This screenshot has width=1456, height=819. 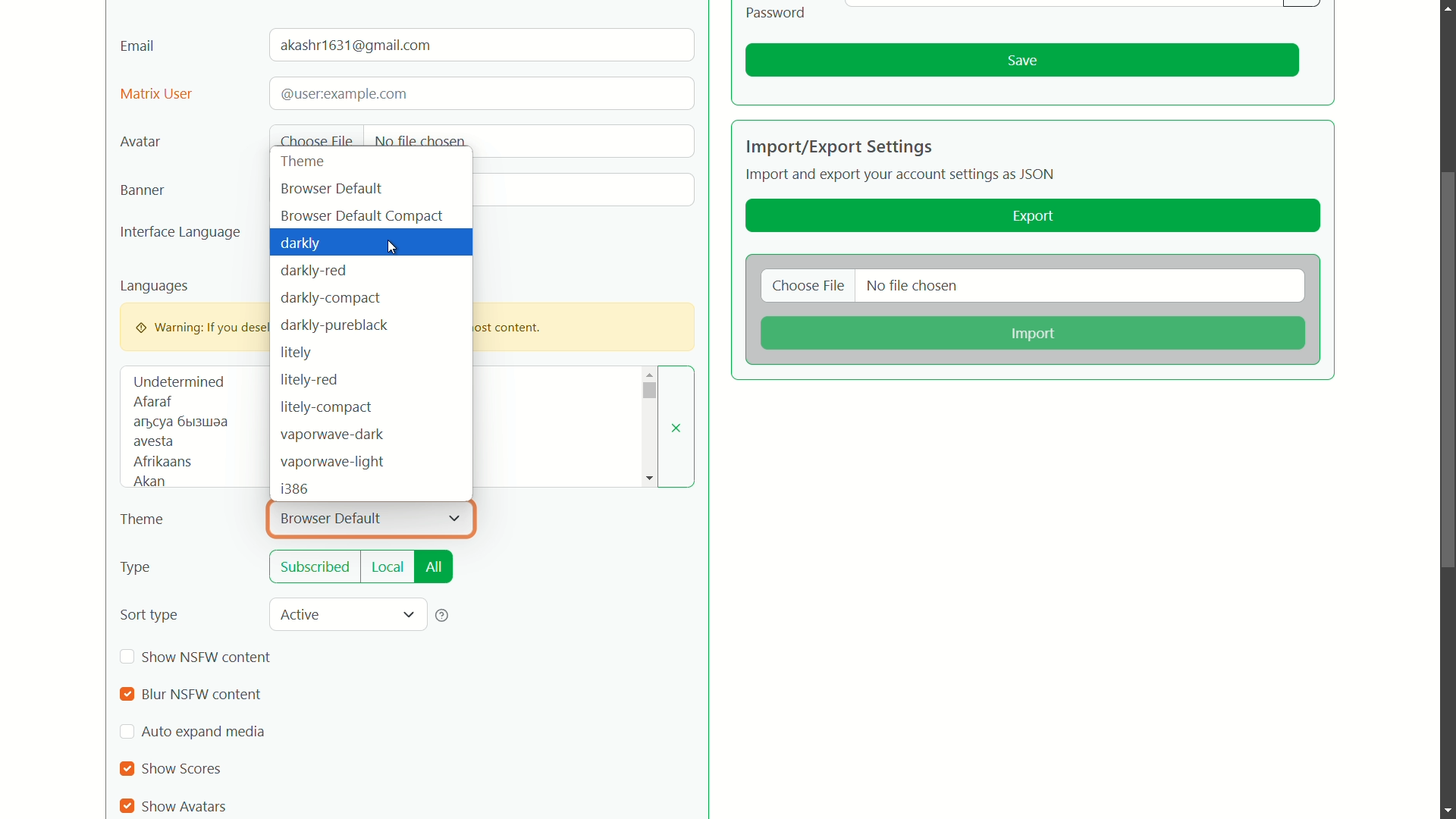 What do you see at coordinates (331, 189) in the screenshot?
I see `browser default` at bounding box center [331, 189].